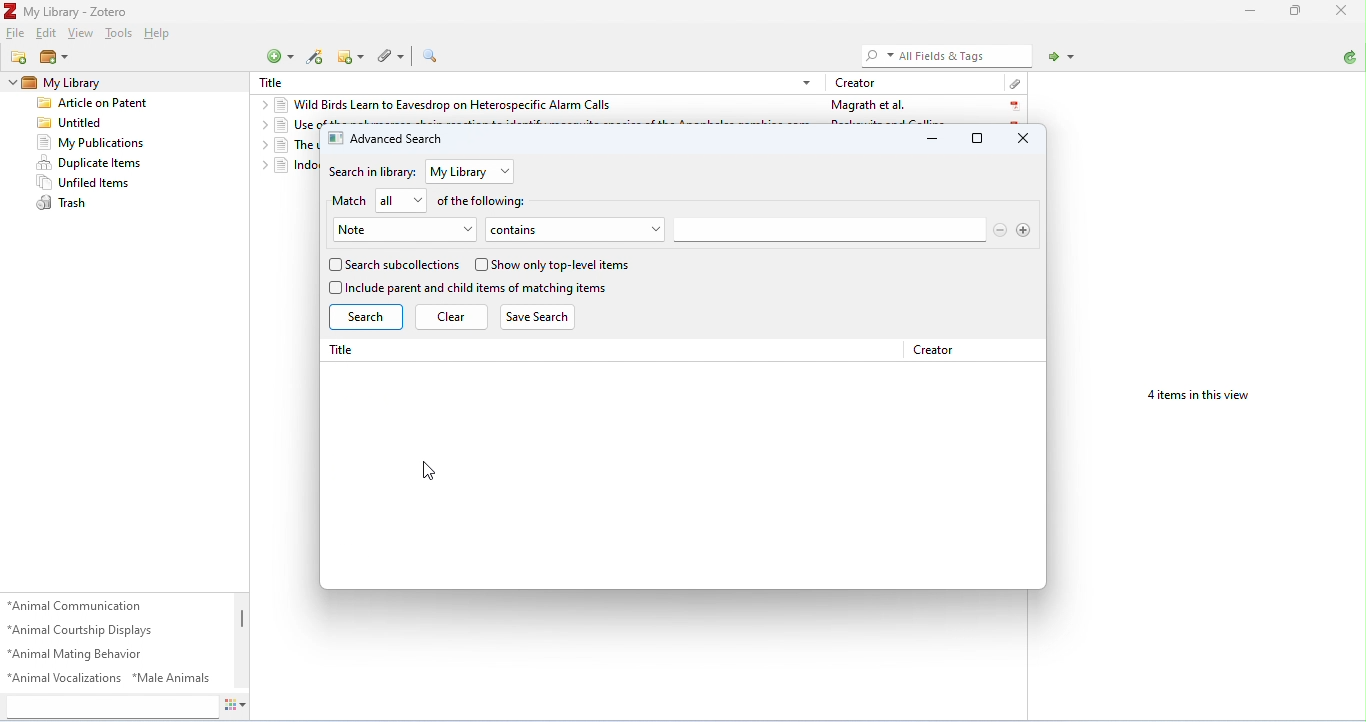 The width and height of the screenshot is (1366, 722). I want to click on new note, so click(351, 56).